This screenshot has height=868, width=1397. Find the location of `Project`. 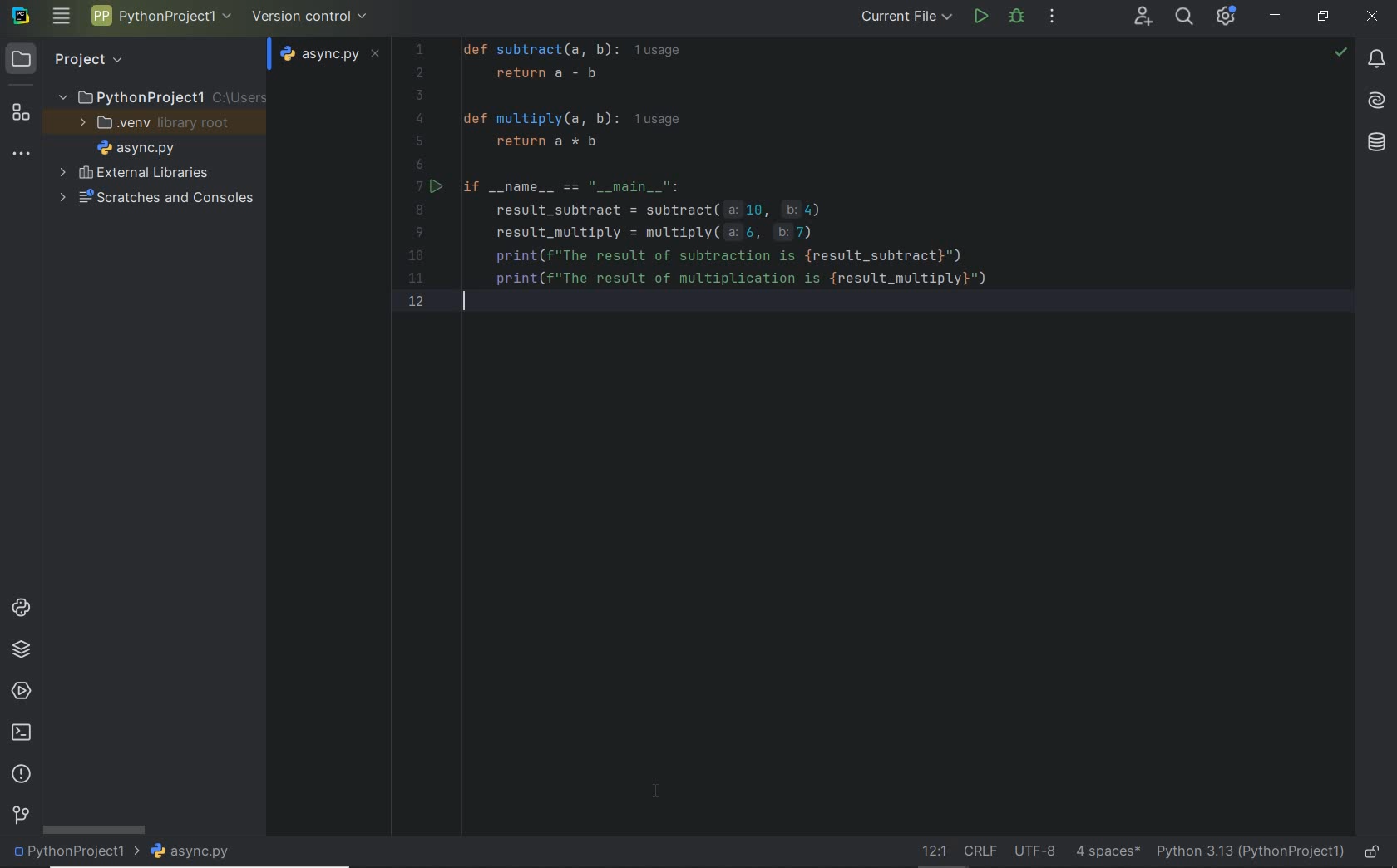

Project is located at coordinates (74, 60).